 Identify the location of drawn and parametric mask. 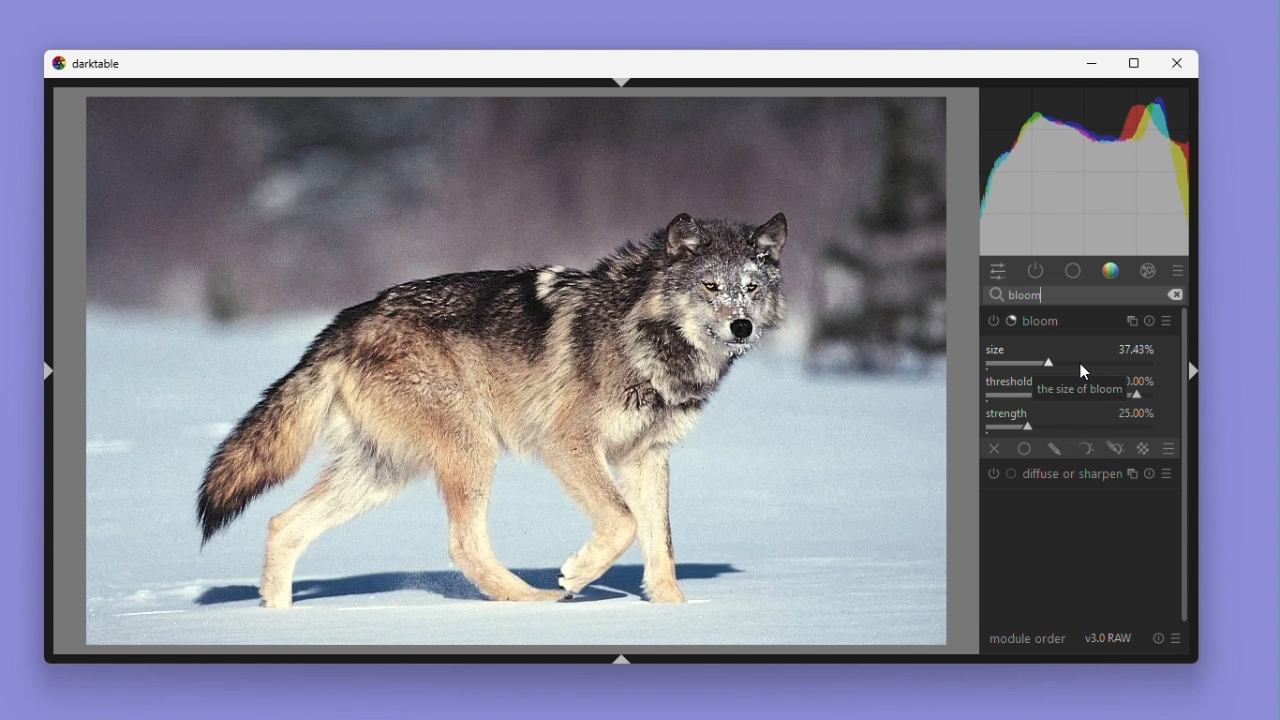
(1117, 448).